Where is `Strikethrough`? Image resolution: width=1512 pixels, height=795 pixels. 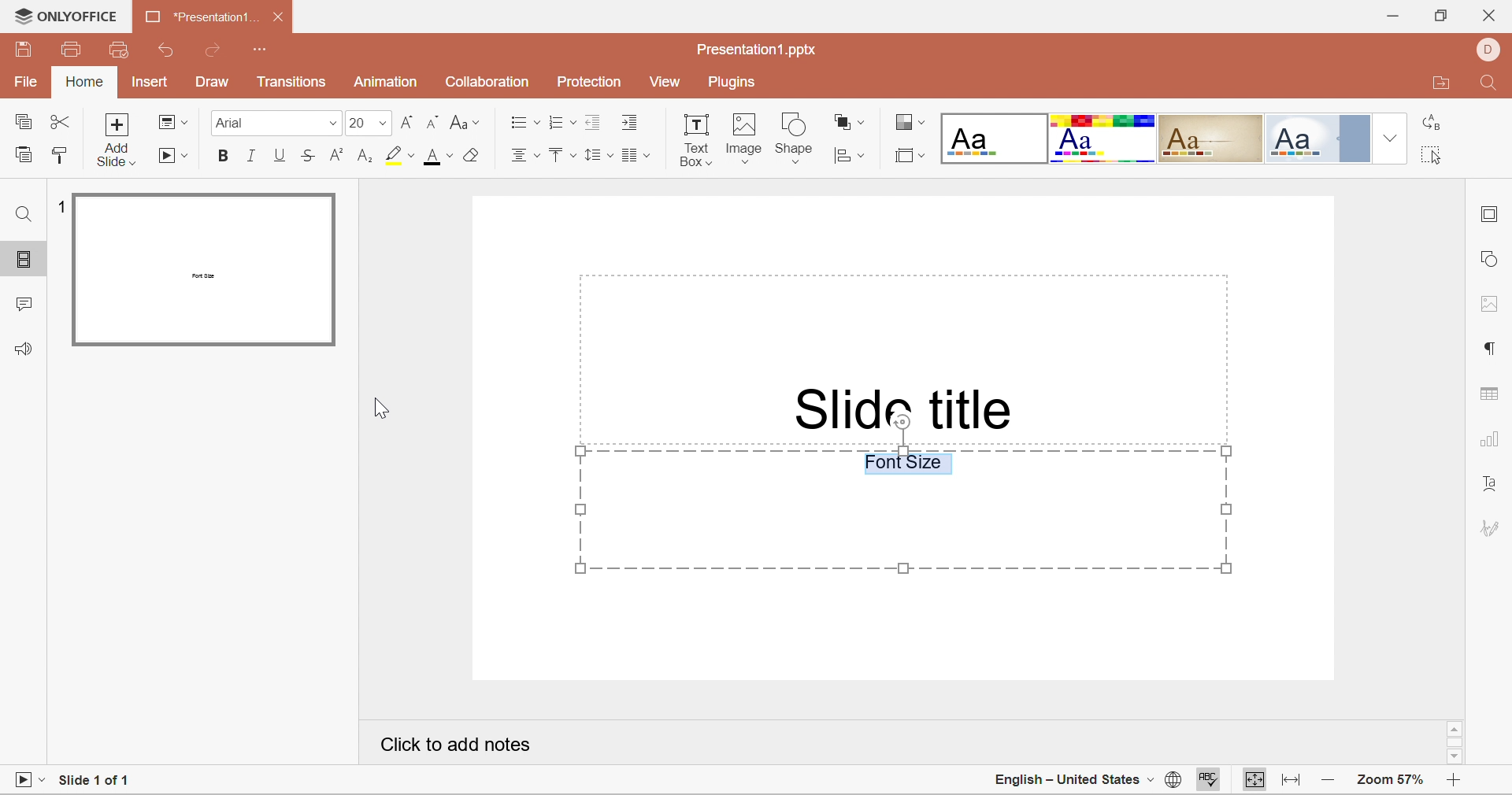
Strikethrough is located at coordinates (309, 152).